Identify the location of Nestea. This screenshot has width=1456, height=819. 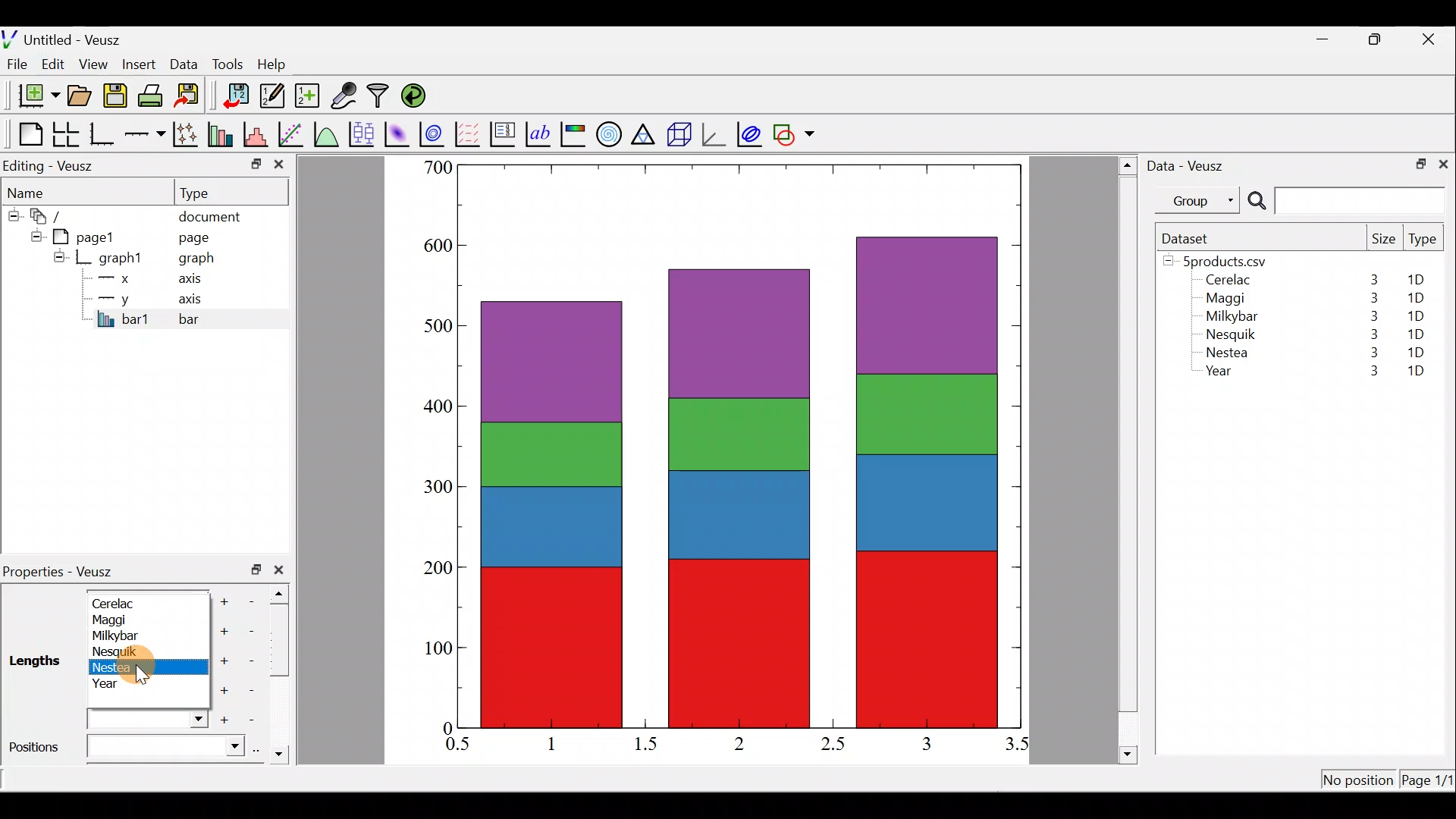
(1228, 353).